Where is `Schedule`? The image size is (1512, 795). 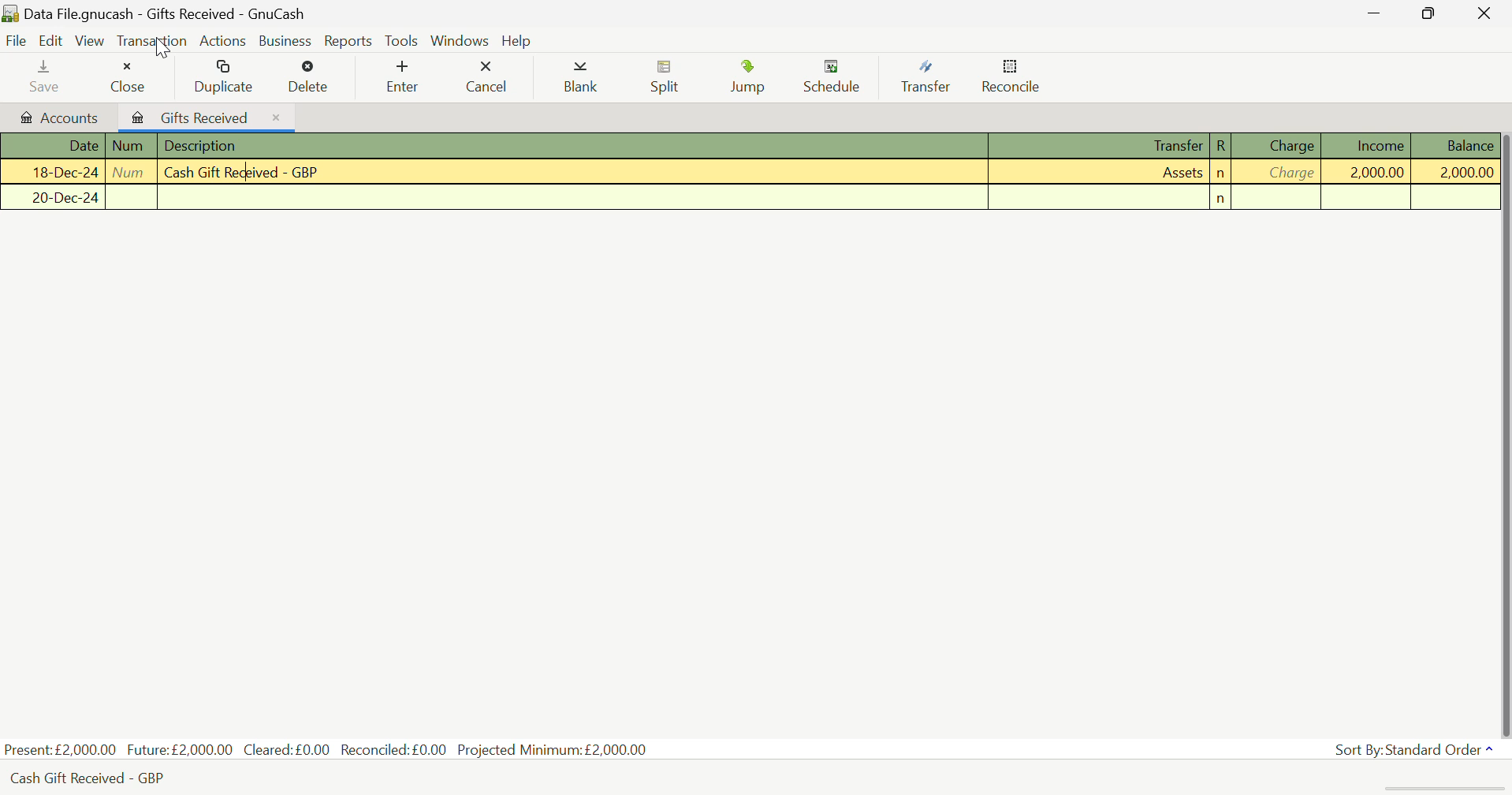 Schedule is located at coordinates (836, 77).